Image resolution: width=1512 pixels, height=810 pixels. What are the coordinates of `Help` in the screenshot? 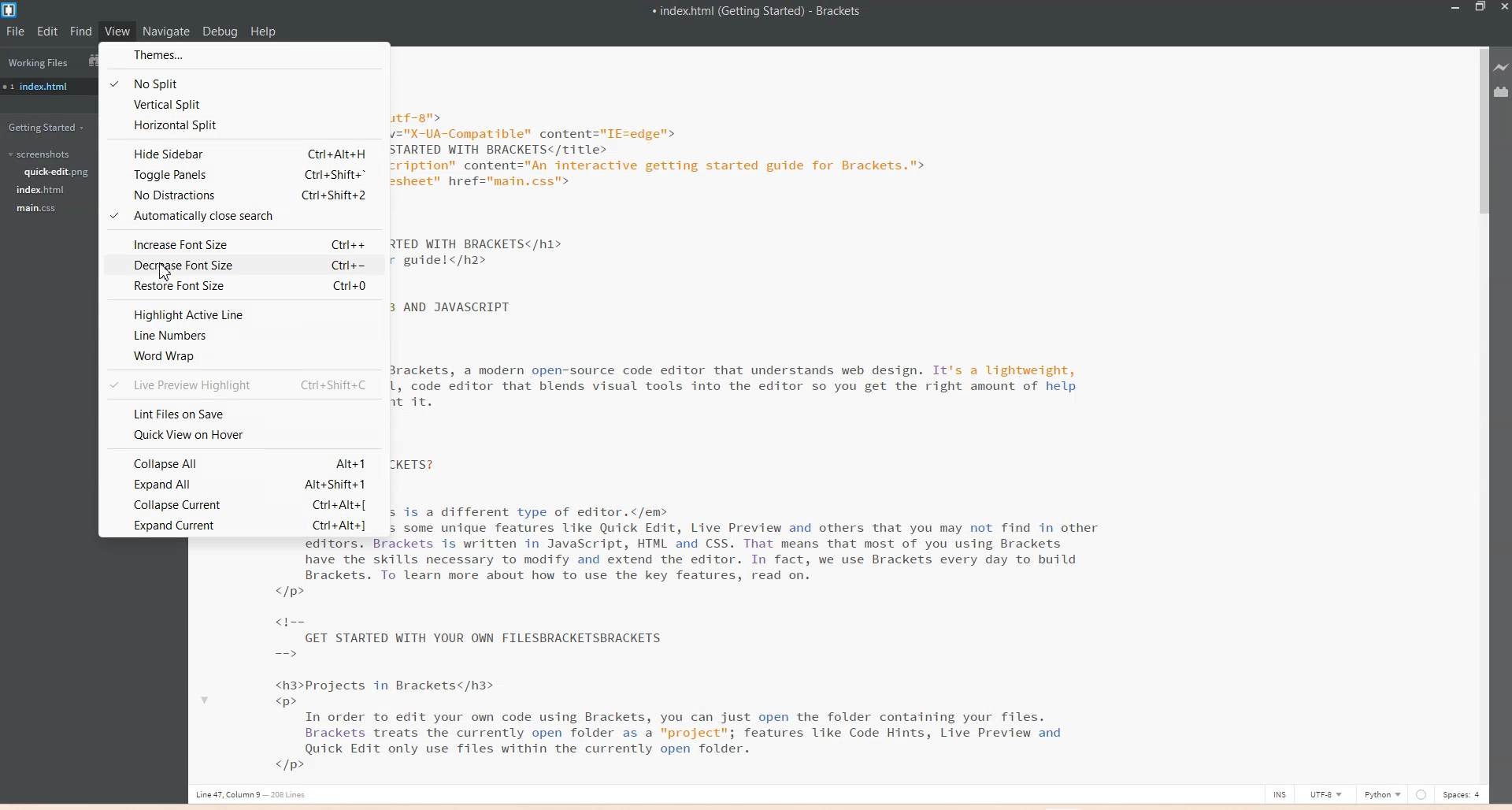 It's located at (264, 32).